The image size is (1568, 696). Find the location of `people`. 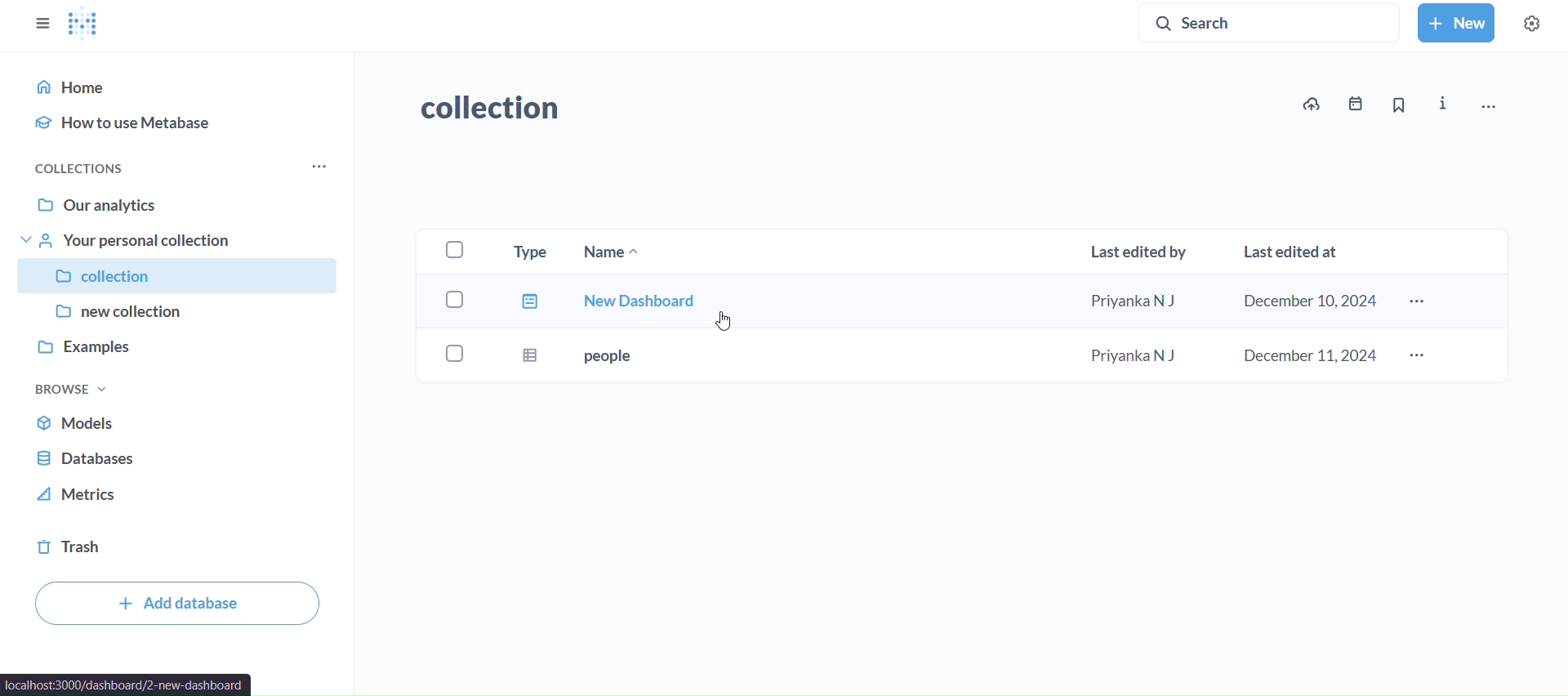

people is located at coordinates (606, 358).